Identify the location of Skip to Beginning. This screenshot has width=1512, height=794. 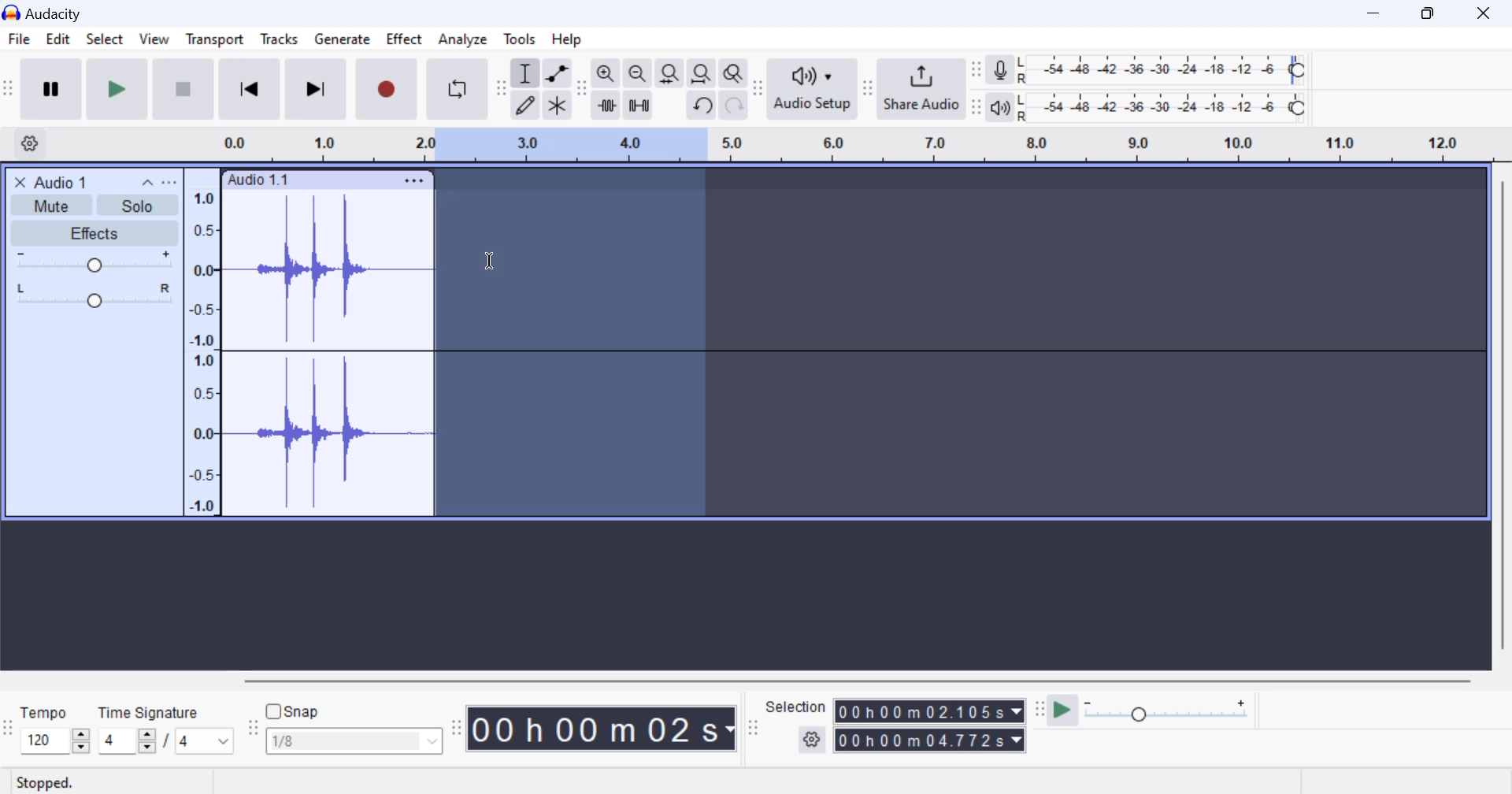
(249, 90).